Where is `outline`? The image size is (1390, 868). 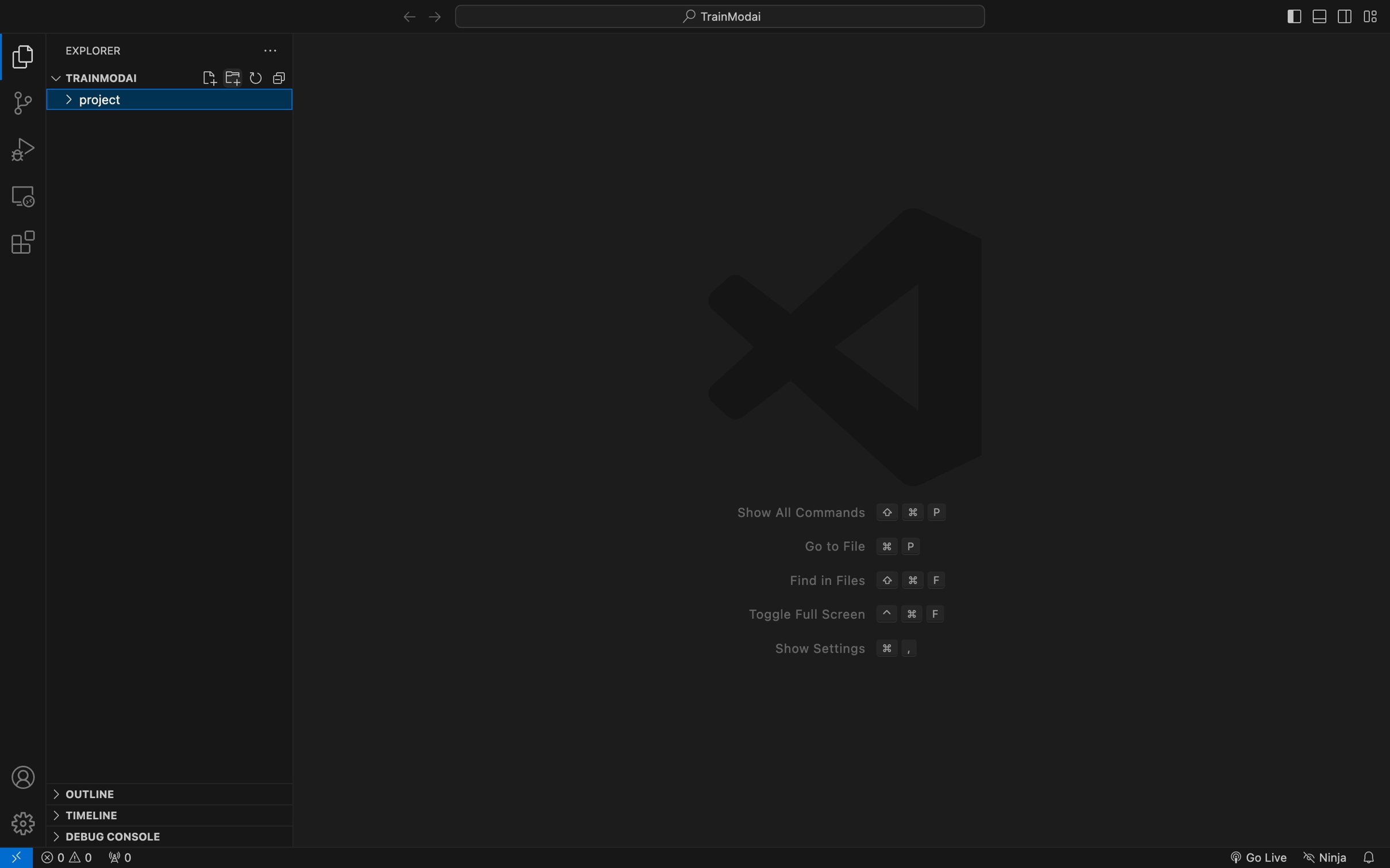 outline is located at coordinates (100, 792).